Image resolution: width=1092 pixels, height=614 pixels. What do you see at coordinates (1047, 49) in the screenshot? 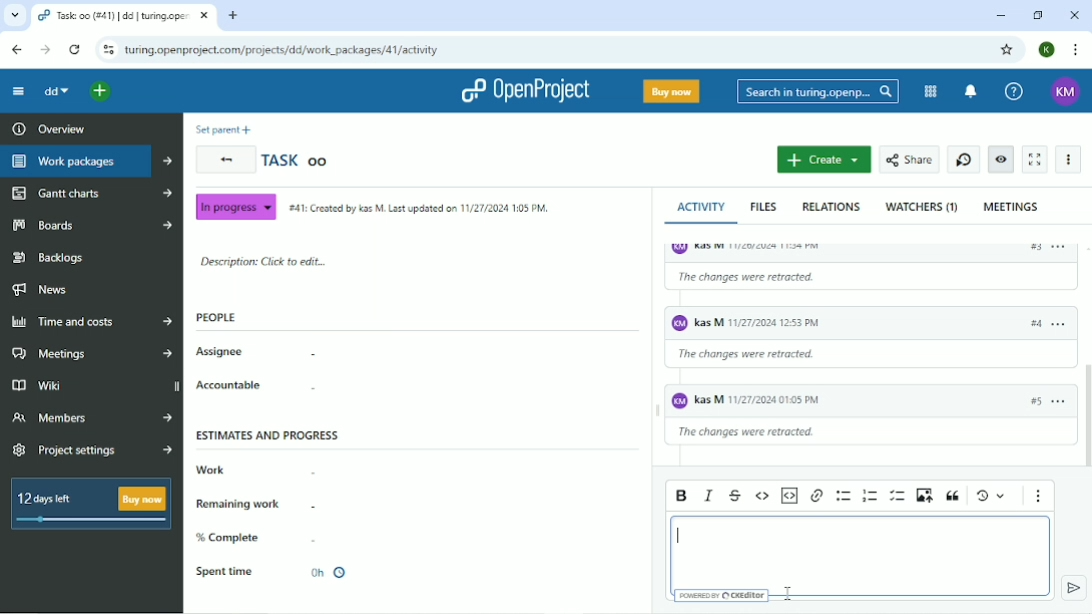
I see `K` at bounding box center [1047, 49].